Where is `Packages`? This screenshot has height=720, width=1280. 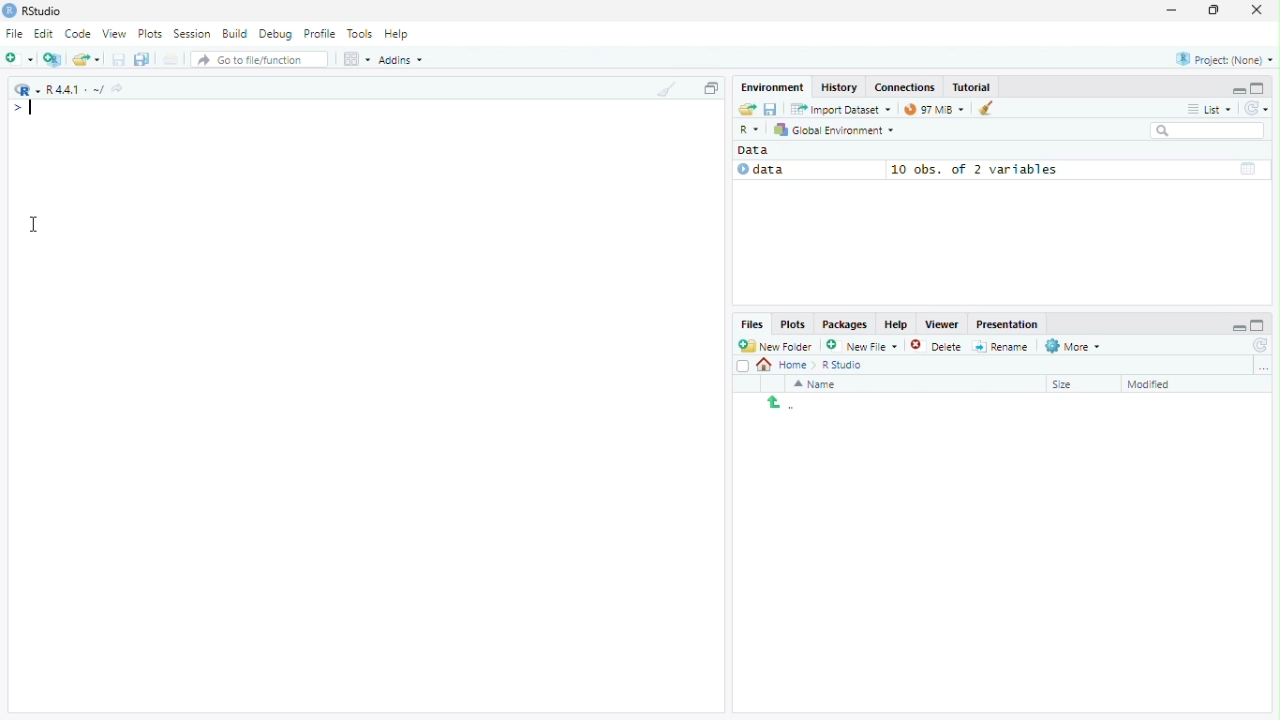 Packages is located at coordinates (845, 324).